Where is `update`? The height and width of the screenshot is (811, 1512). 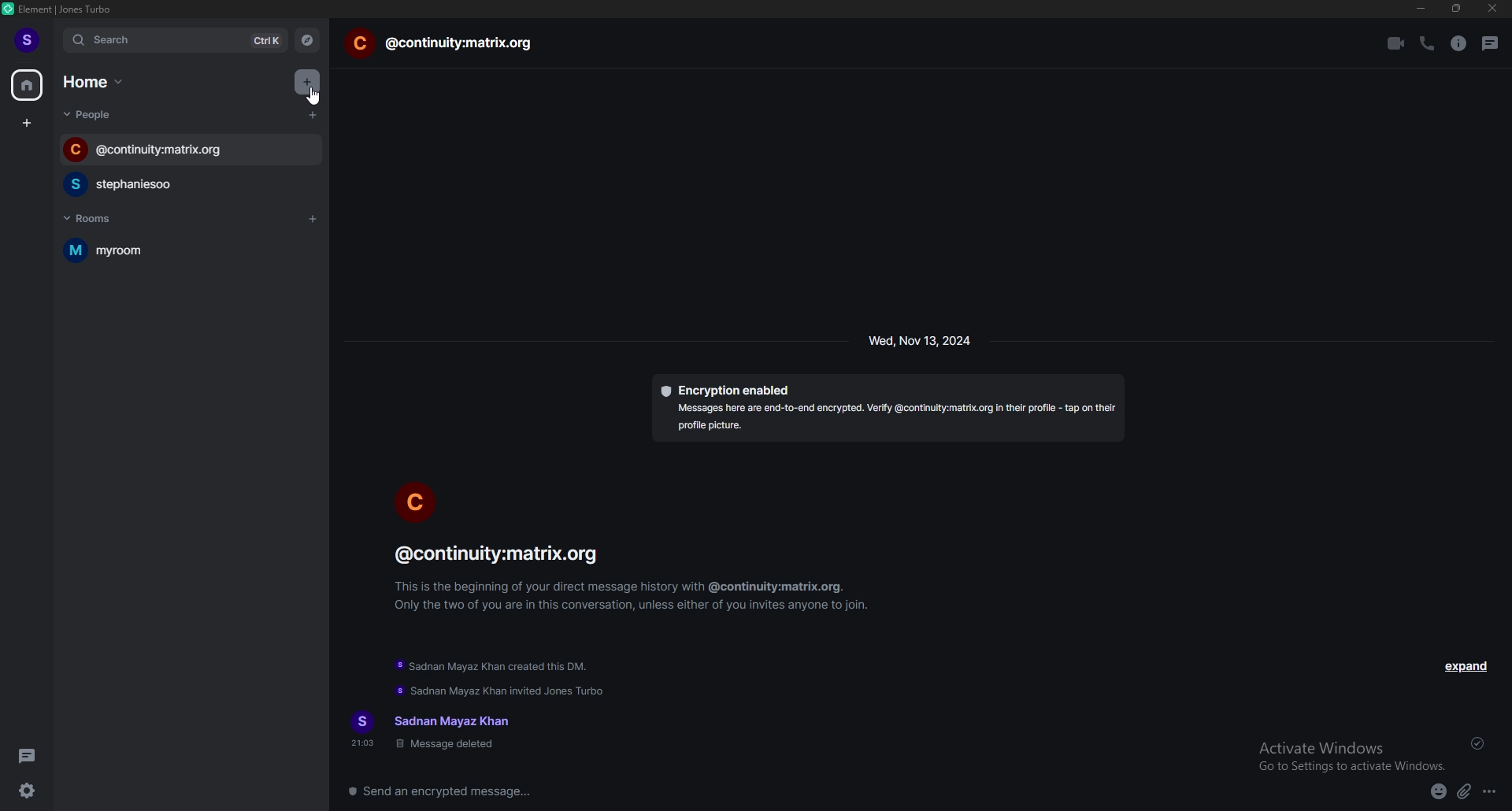 update is located at coordinates (494, 668).